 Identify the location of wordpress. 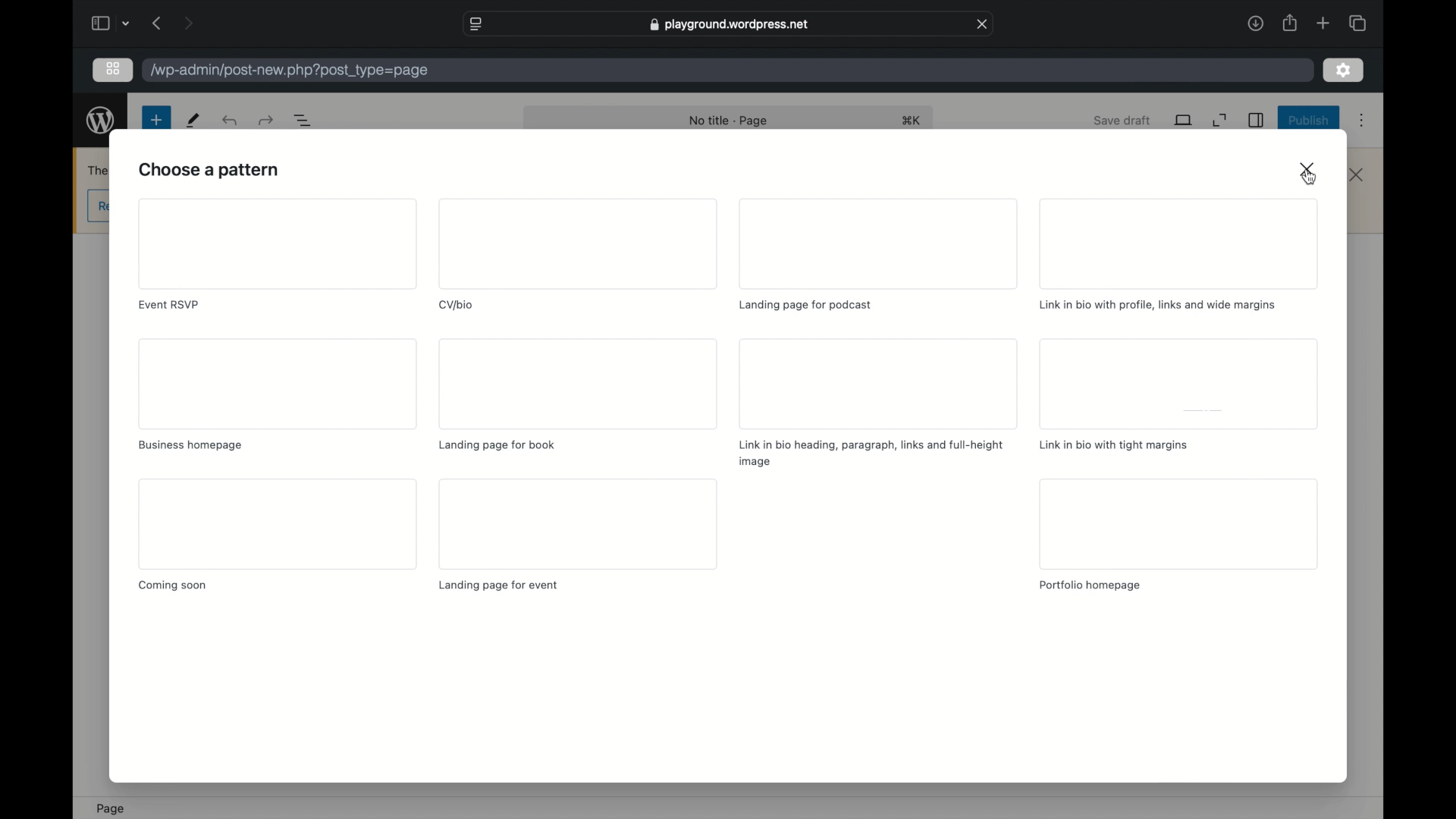
(100, 120).